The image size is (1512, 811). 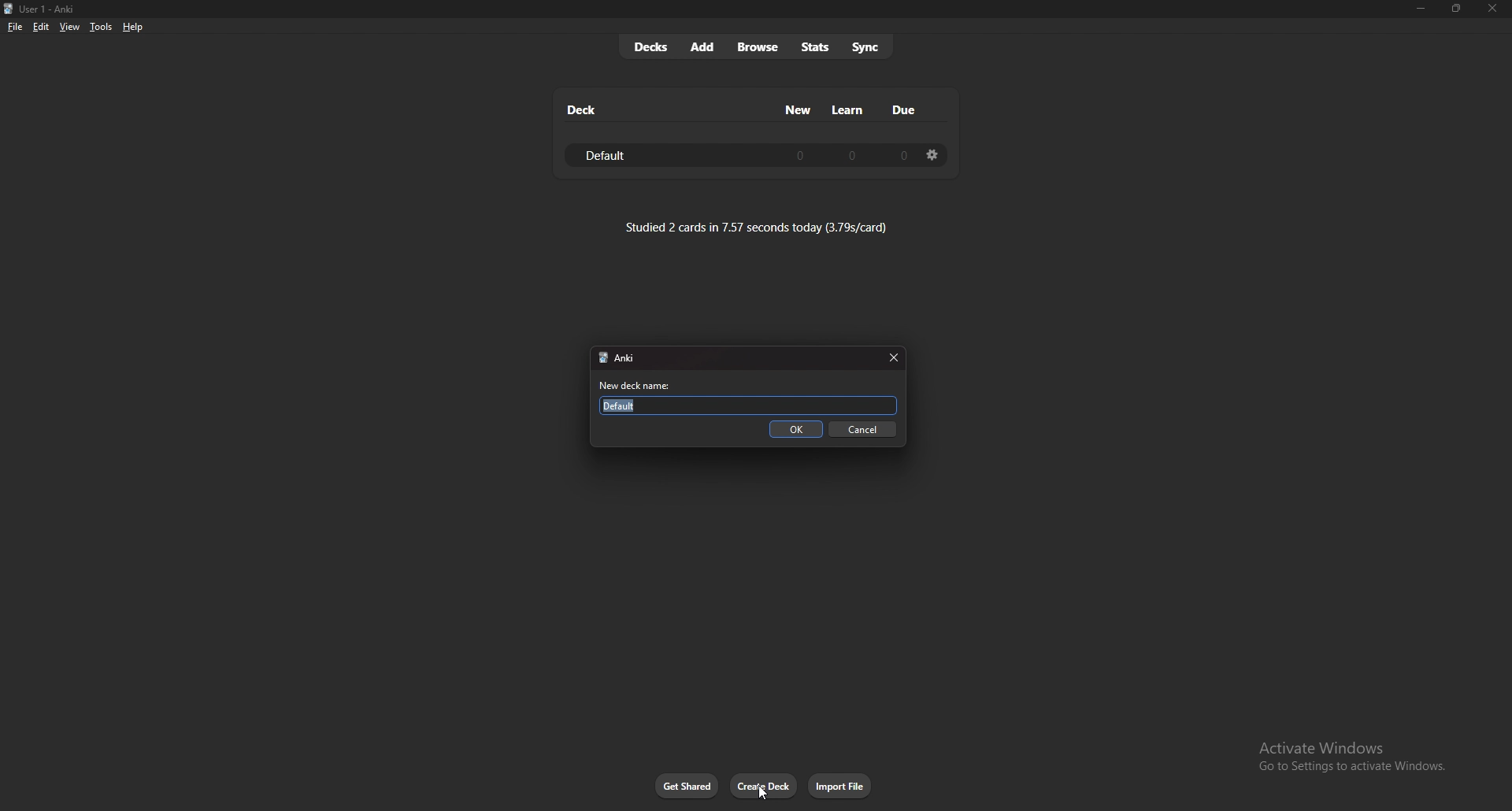 What do you see at coordinates (765, 793) in the screenshot?
I see `cursor` at bounding box center [765, 793].